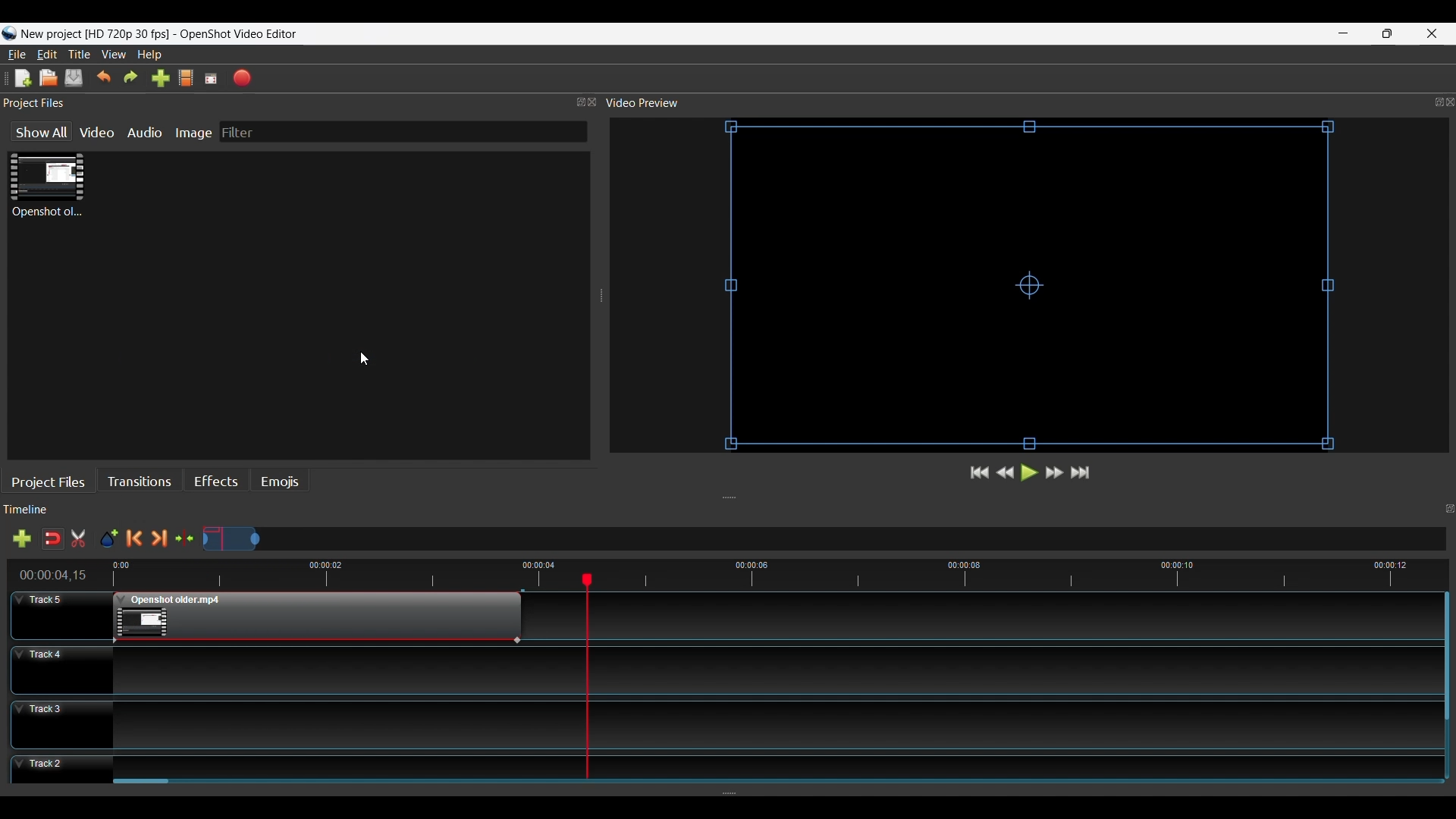 The image size is (1456, 819). Describe the element at coordinates (52, 538) in the screenshot. I see `Snap` at that location.